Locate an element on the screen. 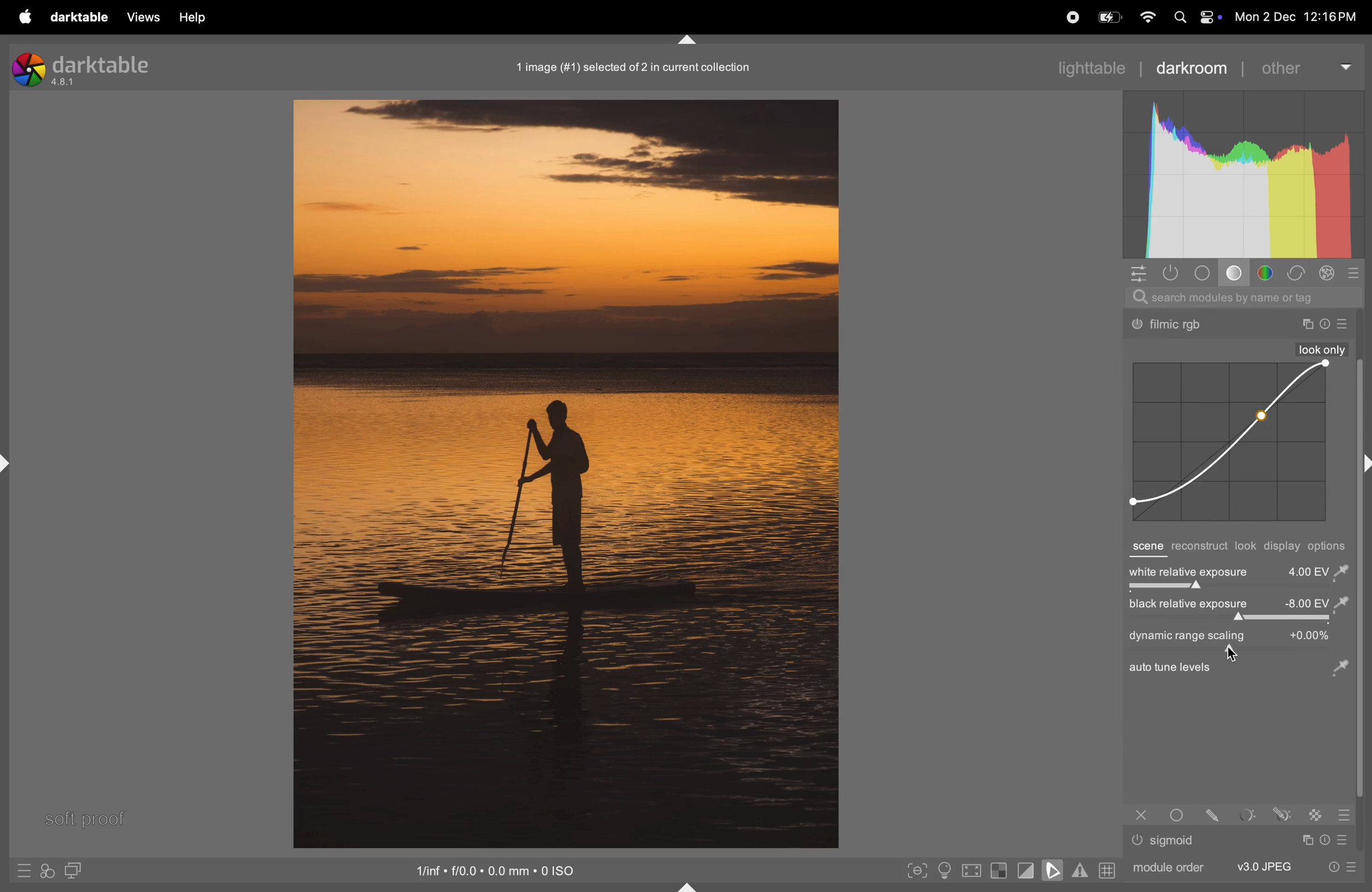 Image resolution: width=1372 pixels, height=892 pixels.  is located at coordinates (1137, 840).